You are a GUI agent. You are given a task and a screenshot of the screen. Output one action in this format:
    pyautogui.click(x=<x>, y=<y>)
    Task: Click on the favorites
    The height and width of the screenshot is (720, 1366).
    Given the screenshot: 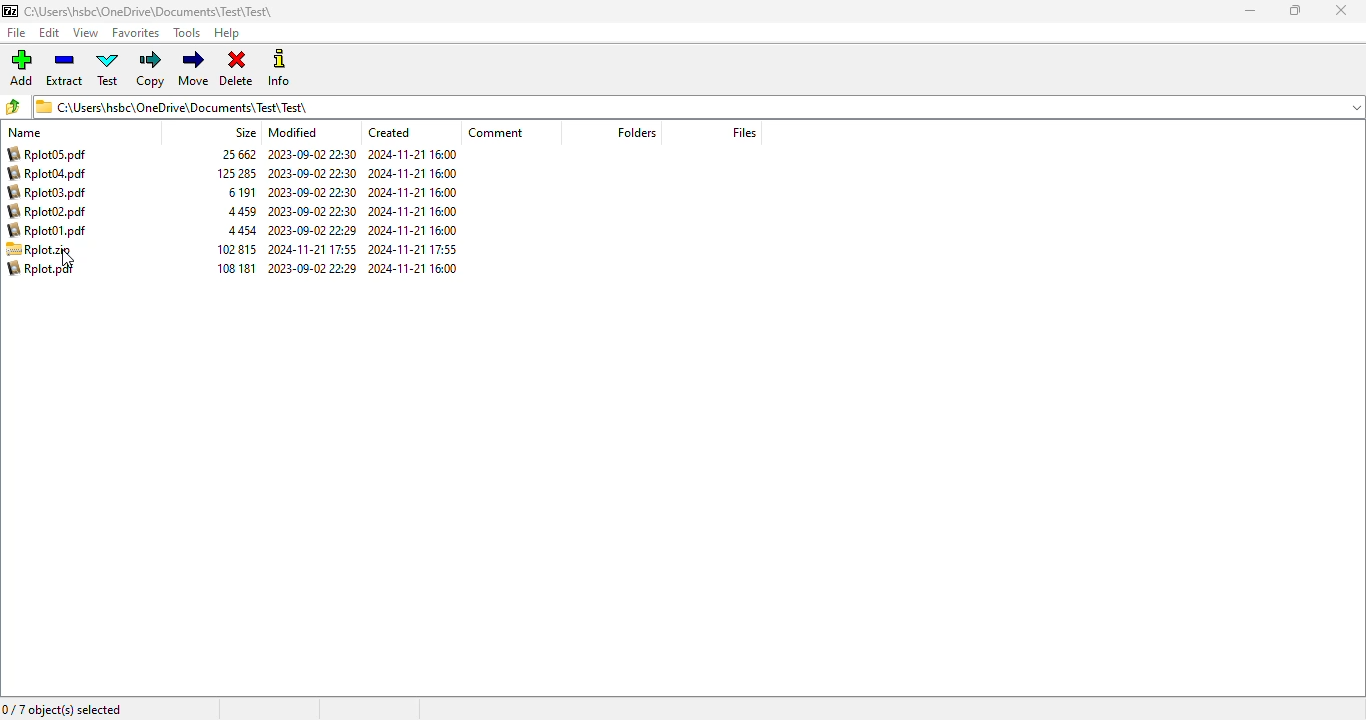 What is the action you would take?
    pyautogui.click(x=135, y=33)
    